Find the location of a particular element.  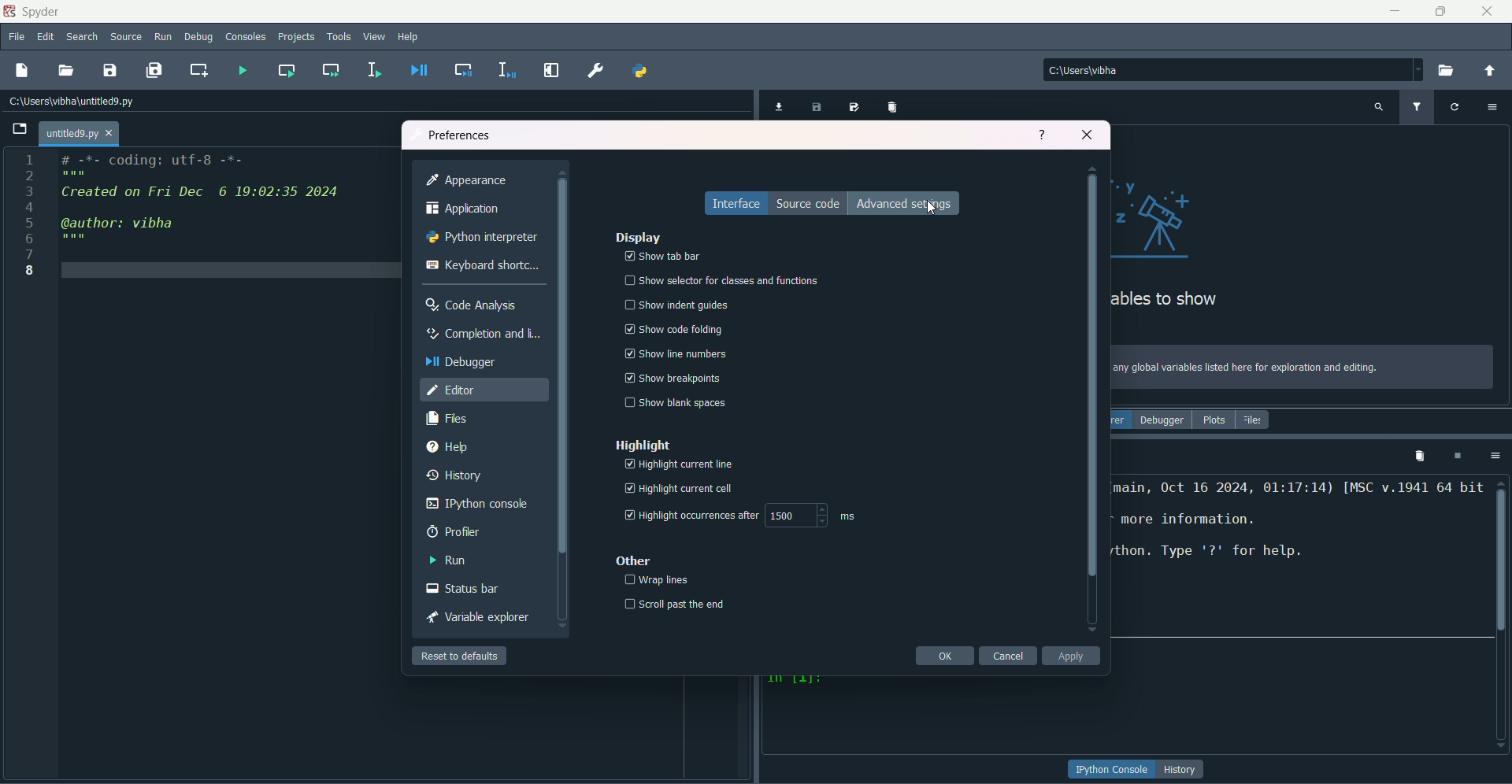

run selection is located at coordinates (374, 70).